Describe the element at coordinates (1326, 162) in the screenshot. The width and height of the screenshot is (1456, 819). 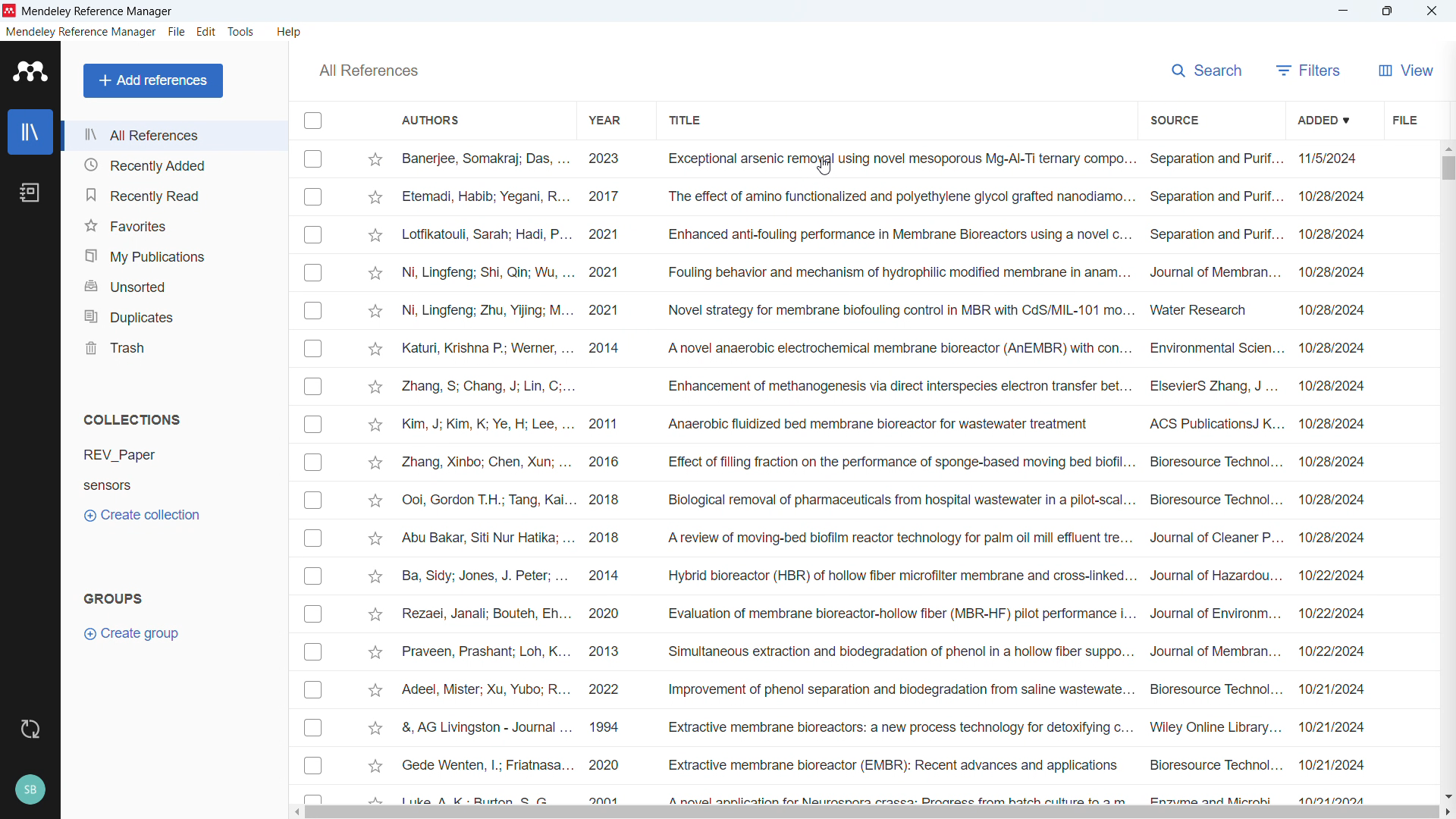
I see `11/5/2024` at that location.